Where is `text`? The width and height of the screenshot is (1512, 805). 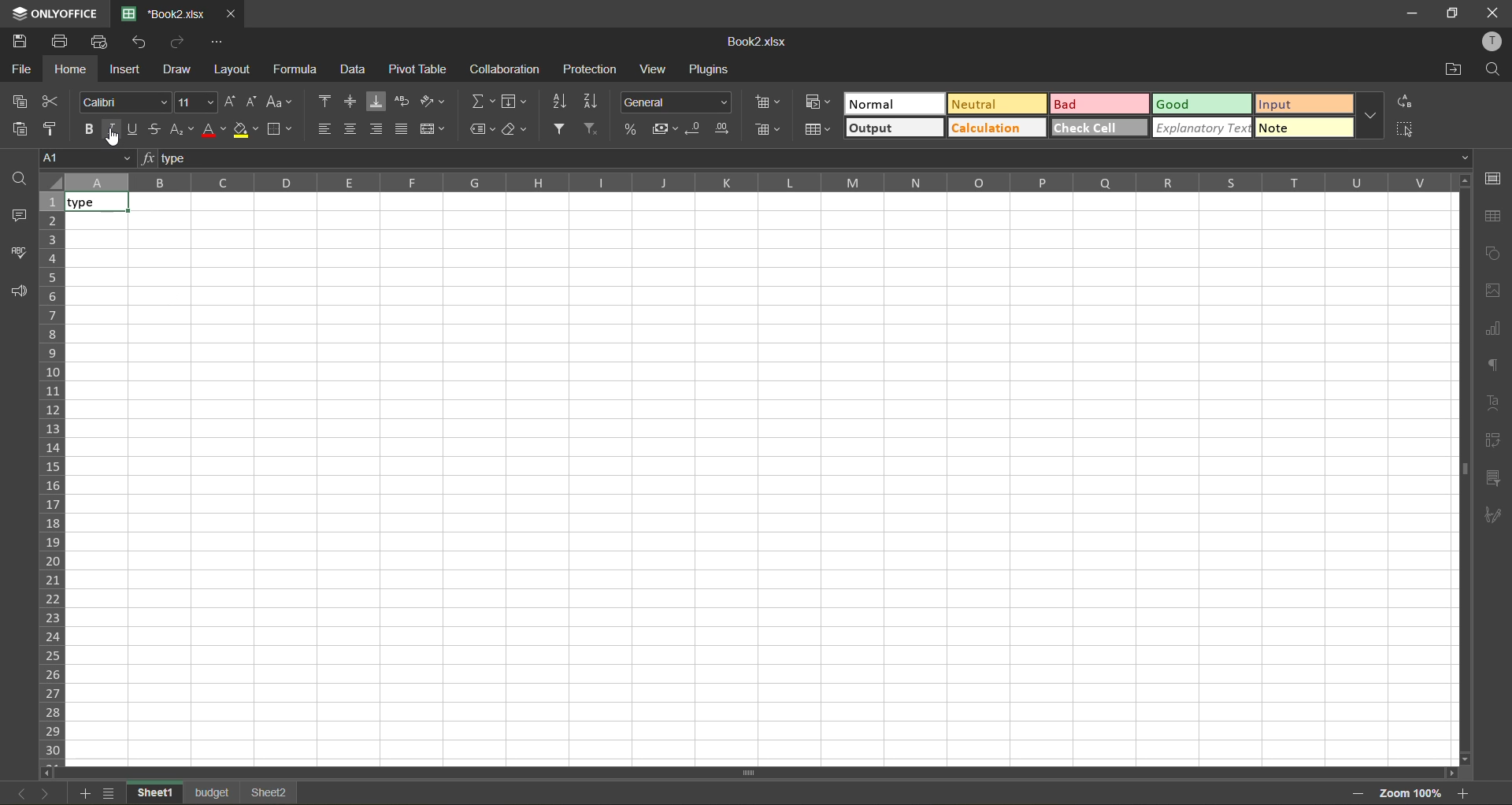
text is located at coordinates (1495, 403).